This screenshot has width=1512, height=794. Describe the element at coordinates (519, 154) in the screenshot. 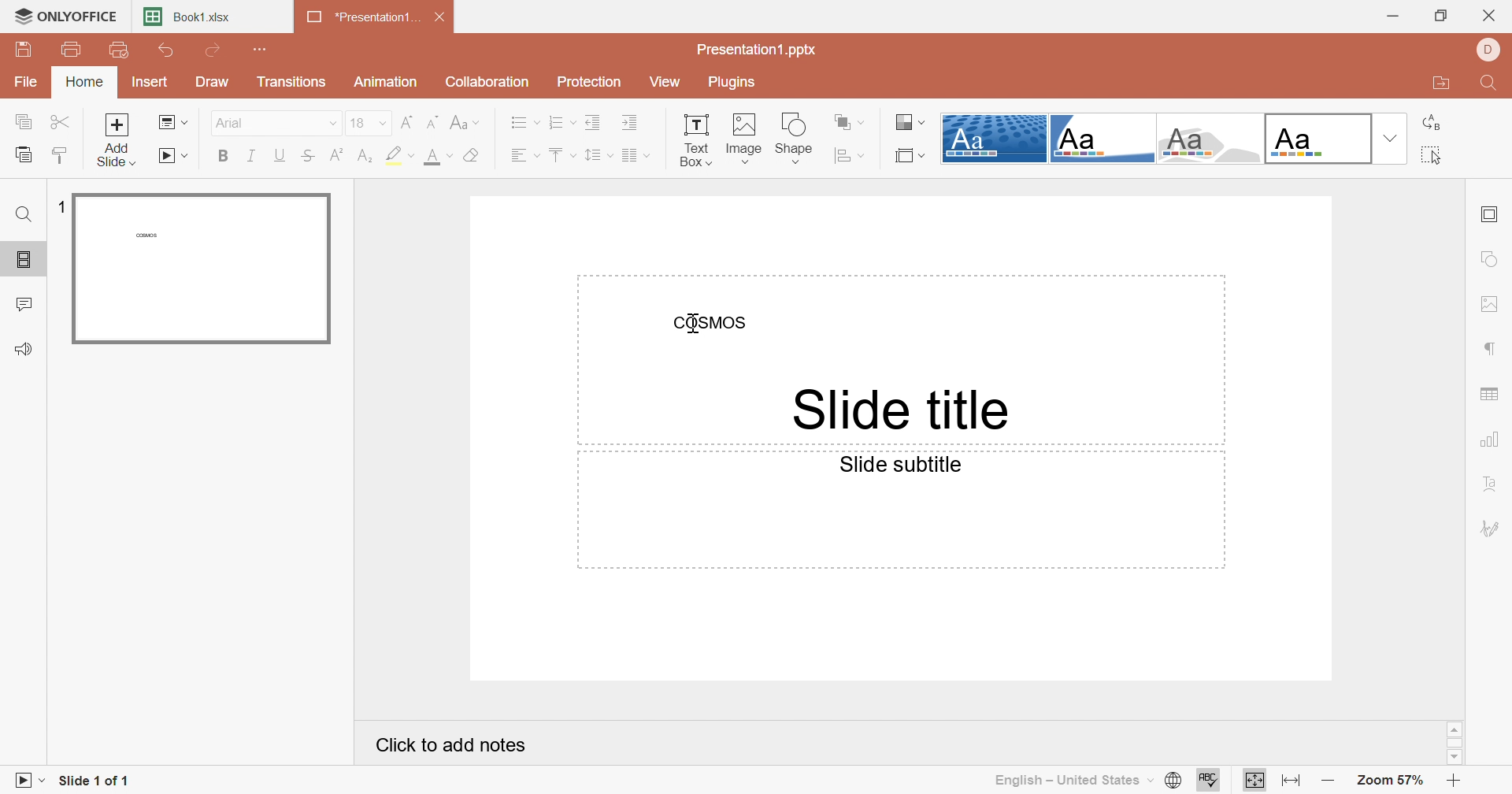

I see `Horizontal align` at that location.